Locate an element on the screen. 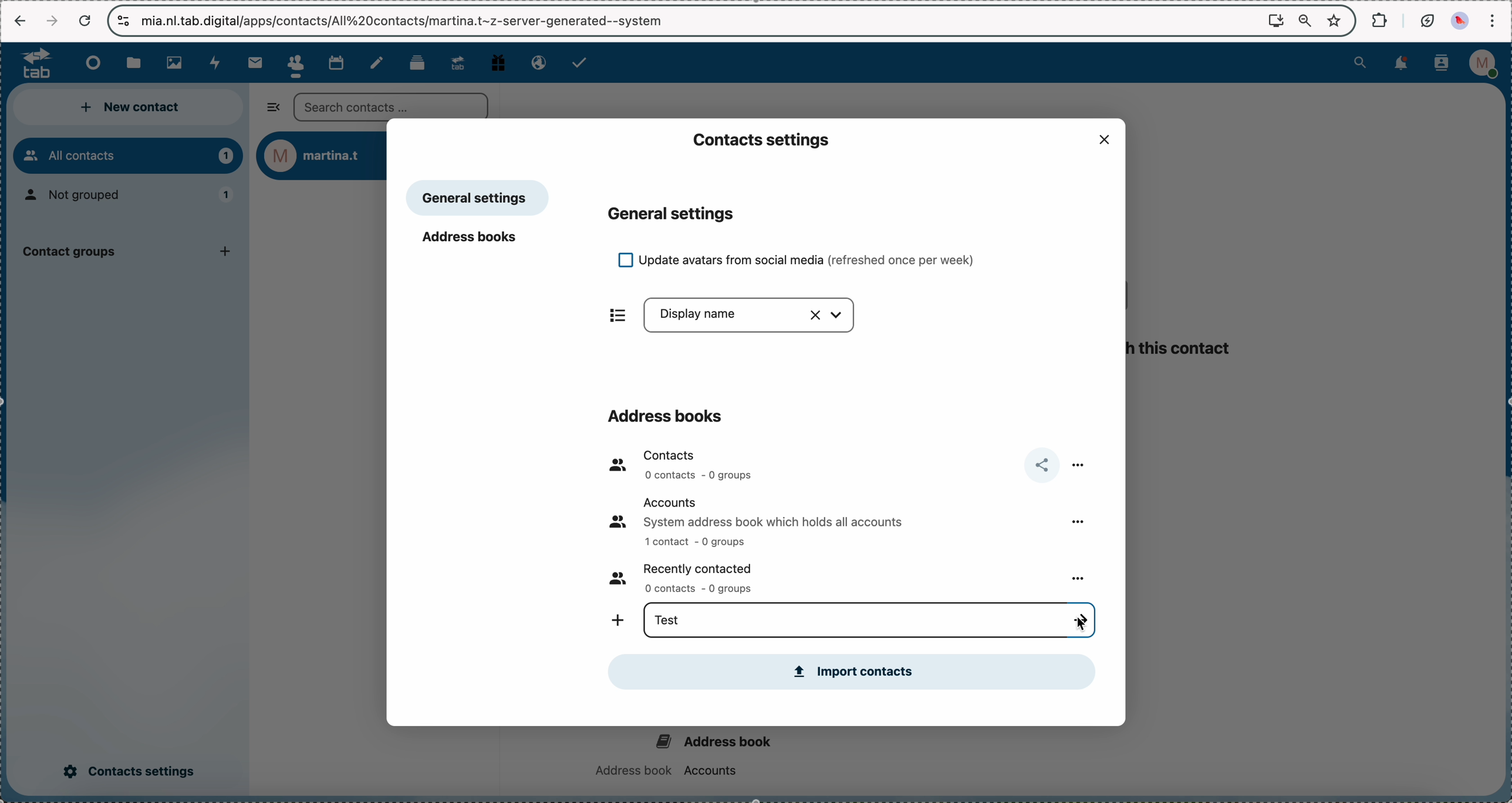  contacts is located at coordinates (1440, 64).